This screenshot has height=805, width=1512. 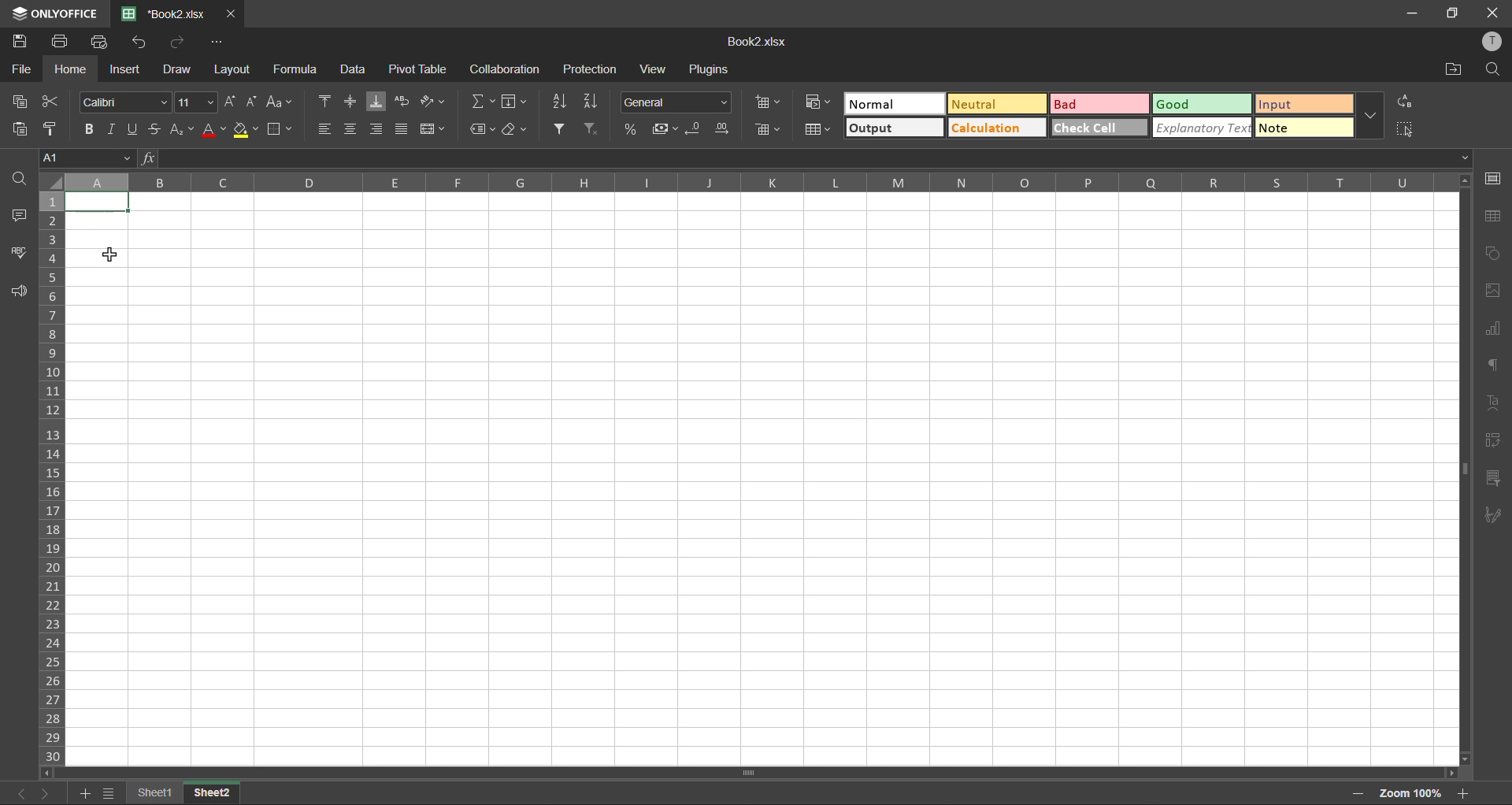 What do you see at coordinates (1492, 71) in the screenshot?
I see `find` at bounding box center [1492, 71].